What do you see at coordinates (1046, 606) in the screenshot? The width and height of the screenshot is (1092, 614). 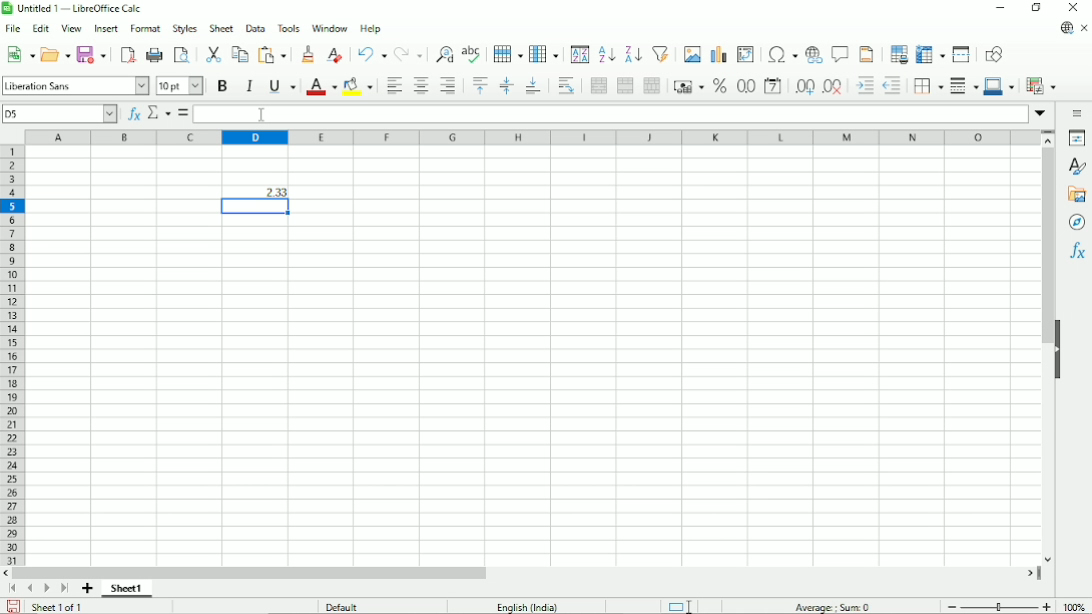 I see `Zoom in` at bounding box center [1046, 606].